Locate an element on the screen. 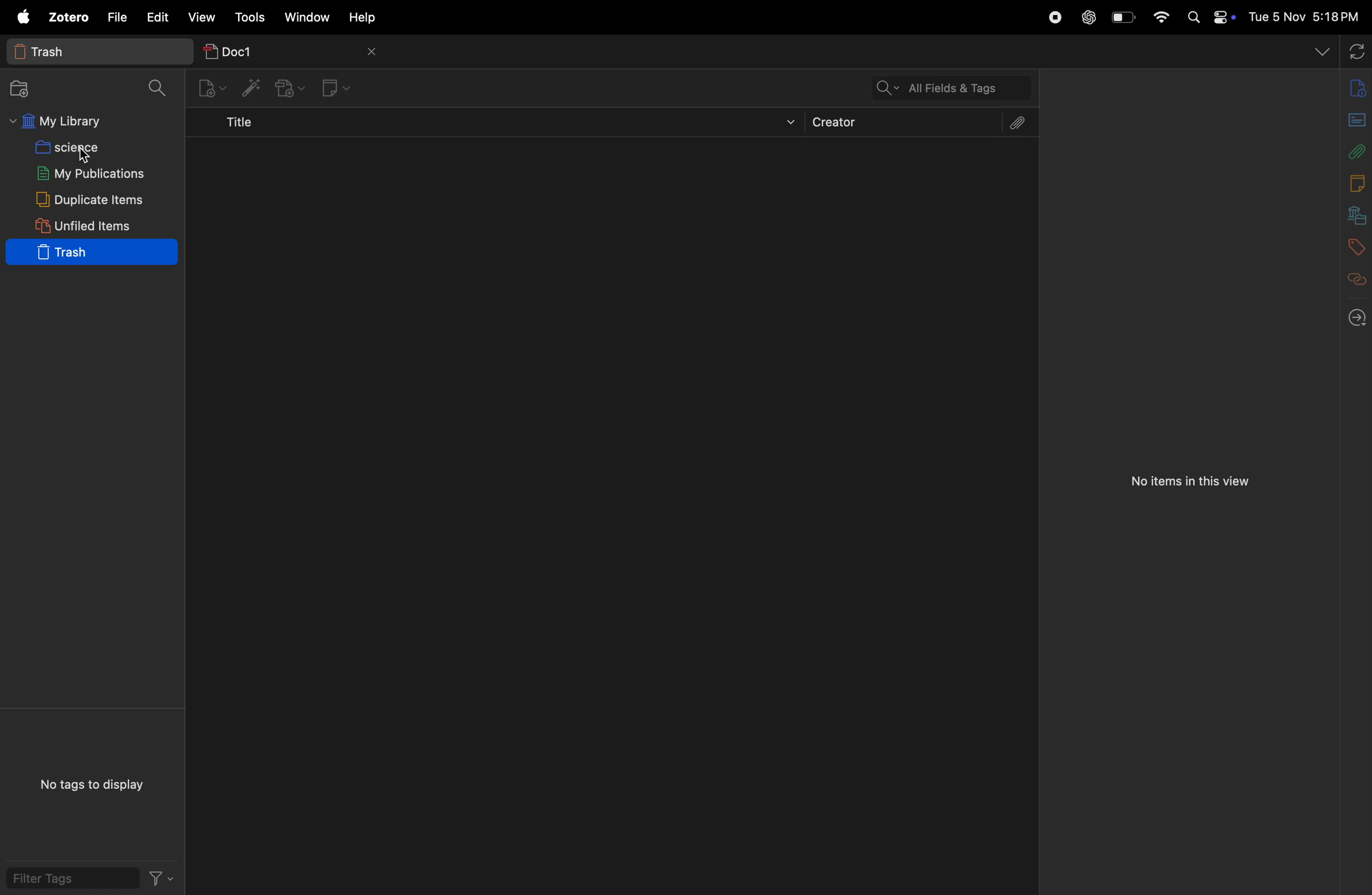 The width and height of the screenshot is (1372, 895). link is located at coordinates (1352, 277).